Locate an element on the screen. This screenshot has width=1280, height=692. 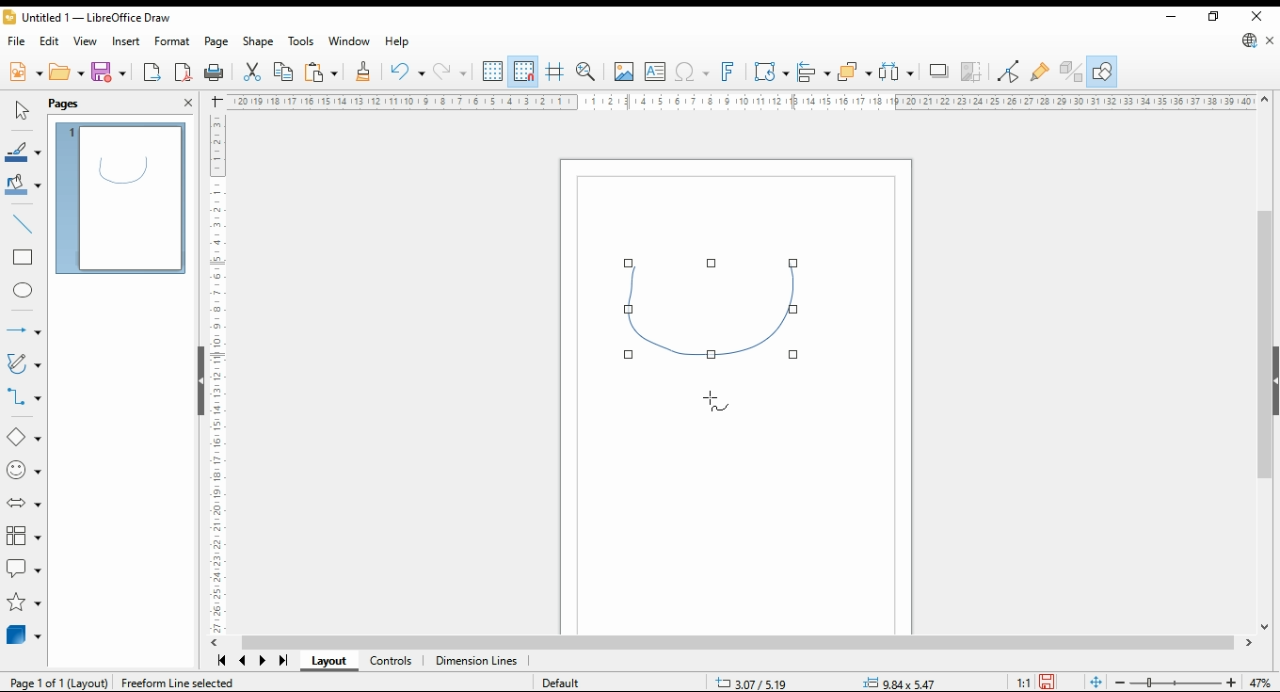
dimensions is located at coordinates (477, 661).